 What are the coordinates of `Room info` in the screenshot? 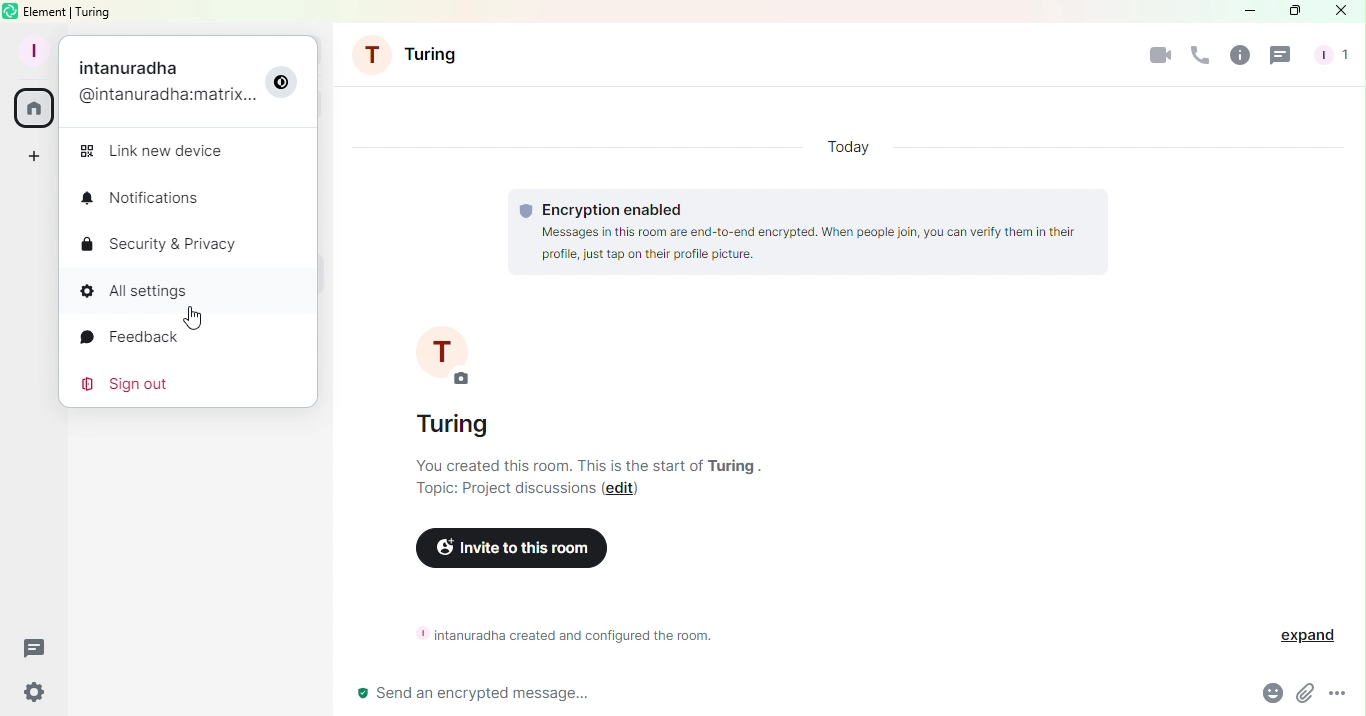 It's located at (1239, 54).